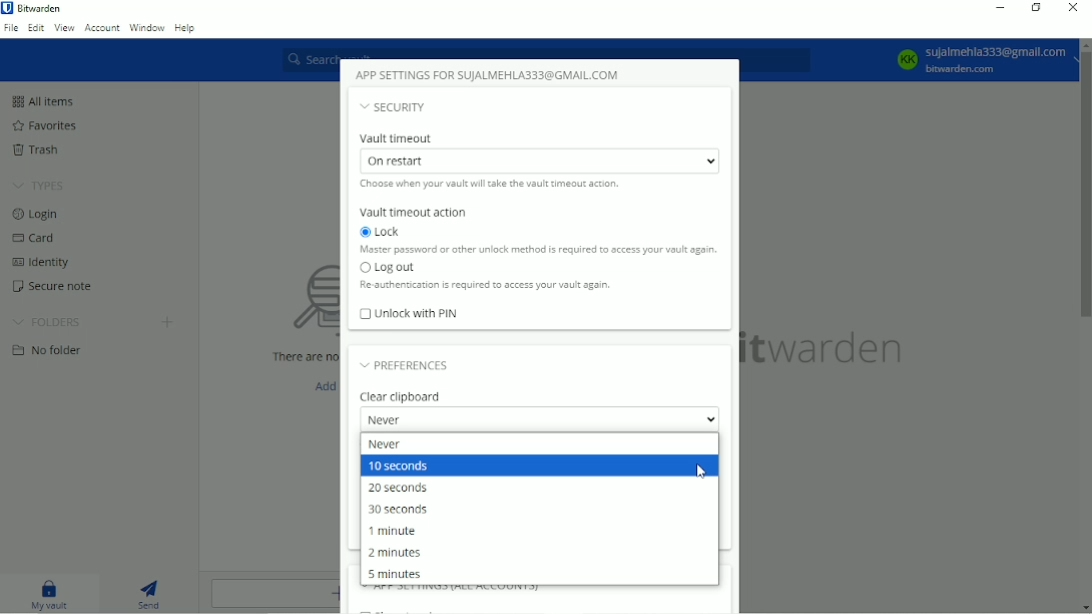 The width and height of the screenshot is (1092, 614). What do you see at coordinates (185, 27) in the screenshot?
I see `Help` at bounding box center [185, 27].